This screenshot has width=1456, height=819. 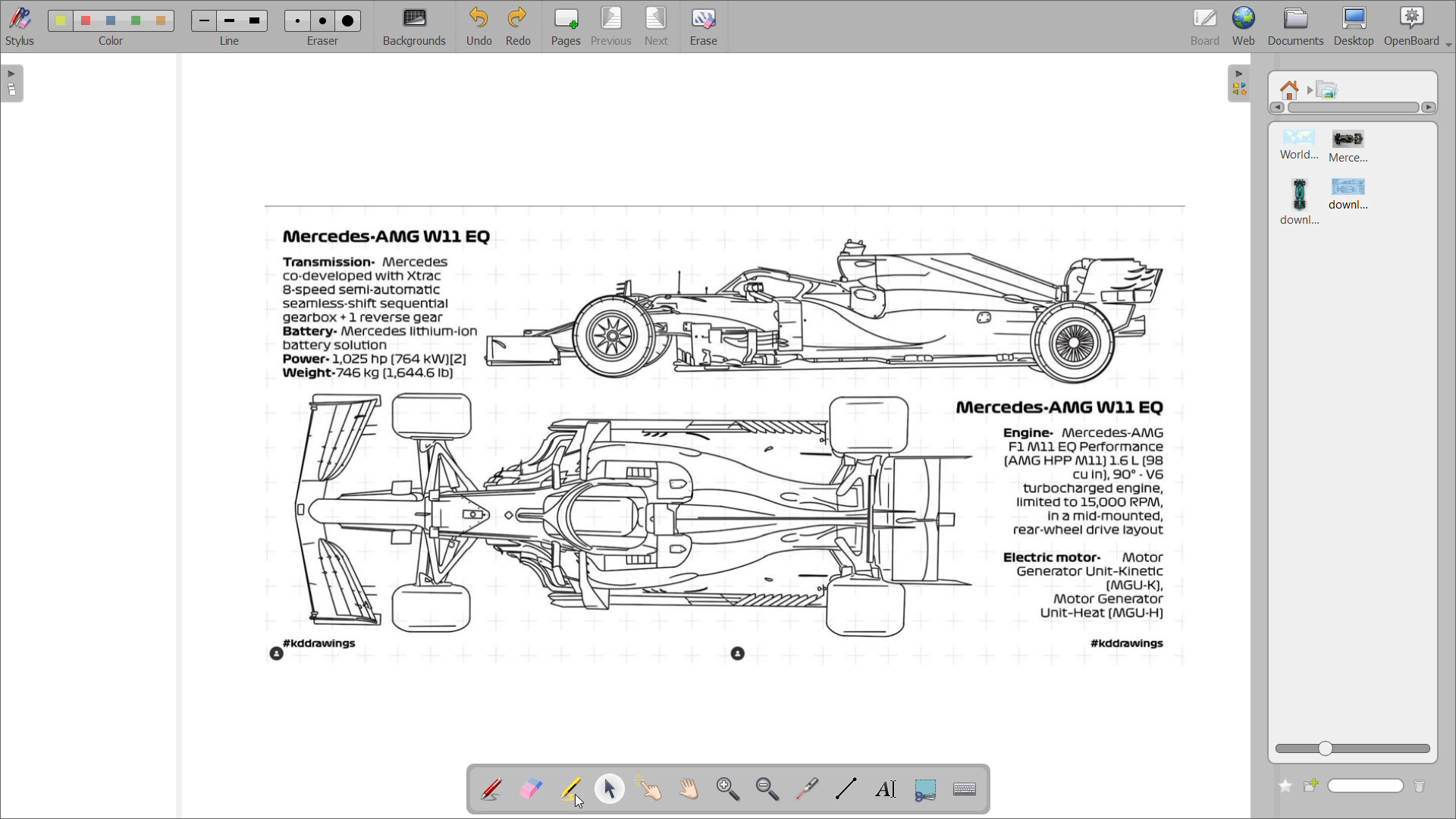 What do you see at coordinates (885, 789) in the screenshot?
I see `write text` at bounding box center [885, 789].